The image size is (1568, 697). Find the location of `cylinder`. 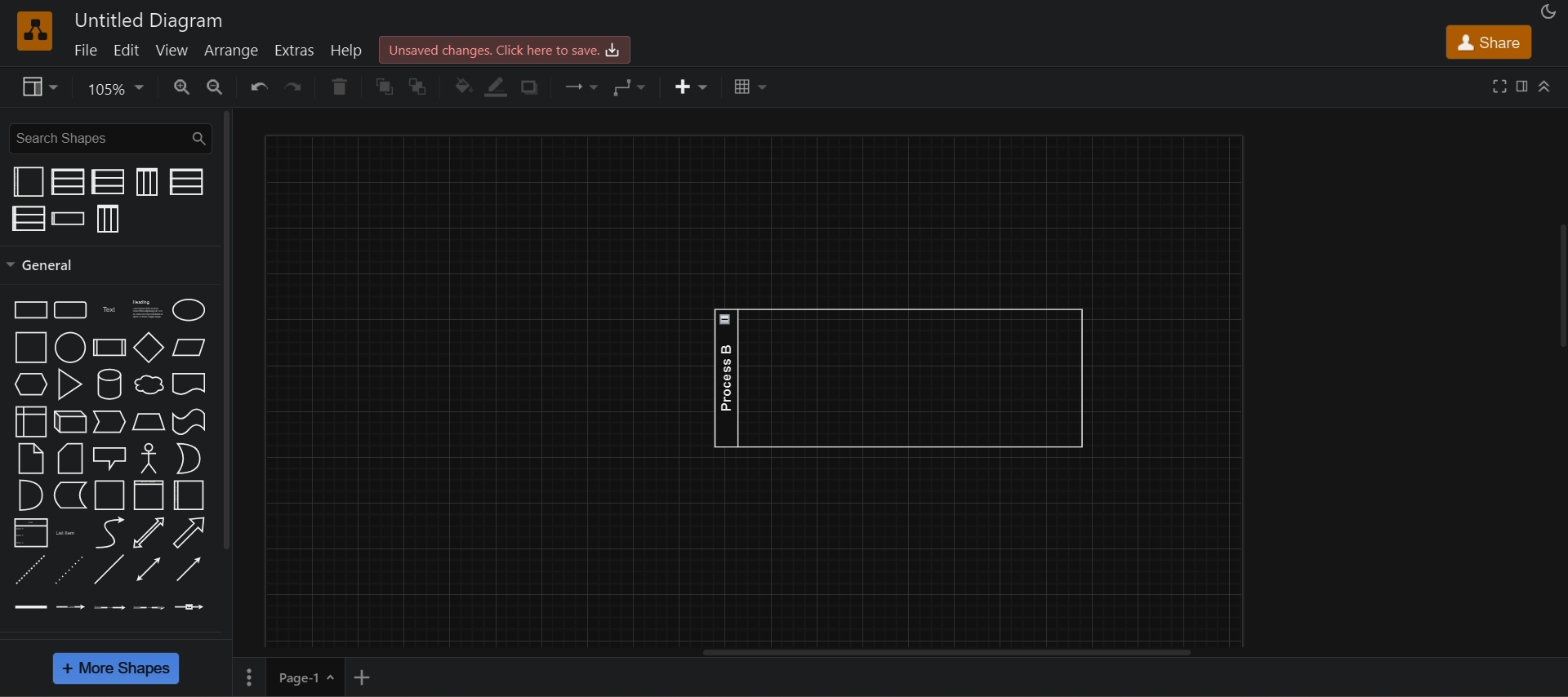

cylinder is located at coordinates (107, 384).